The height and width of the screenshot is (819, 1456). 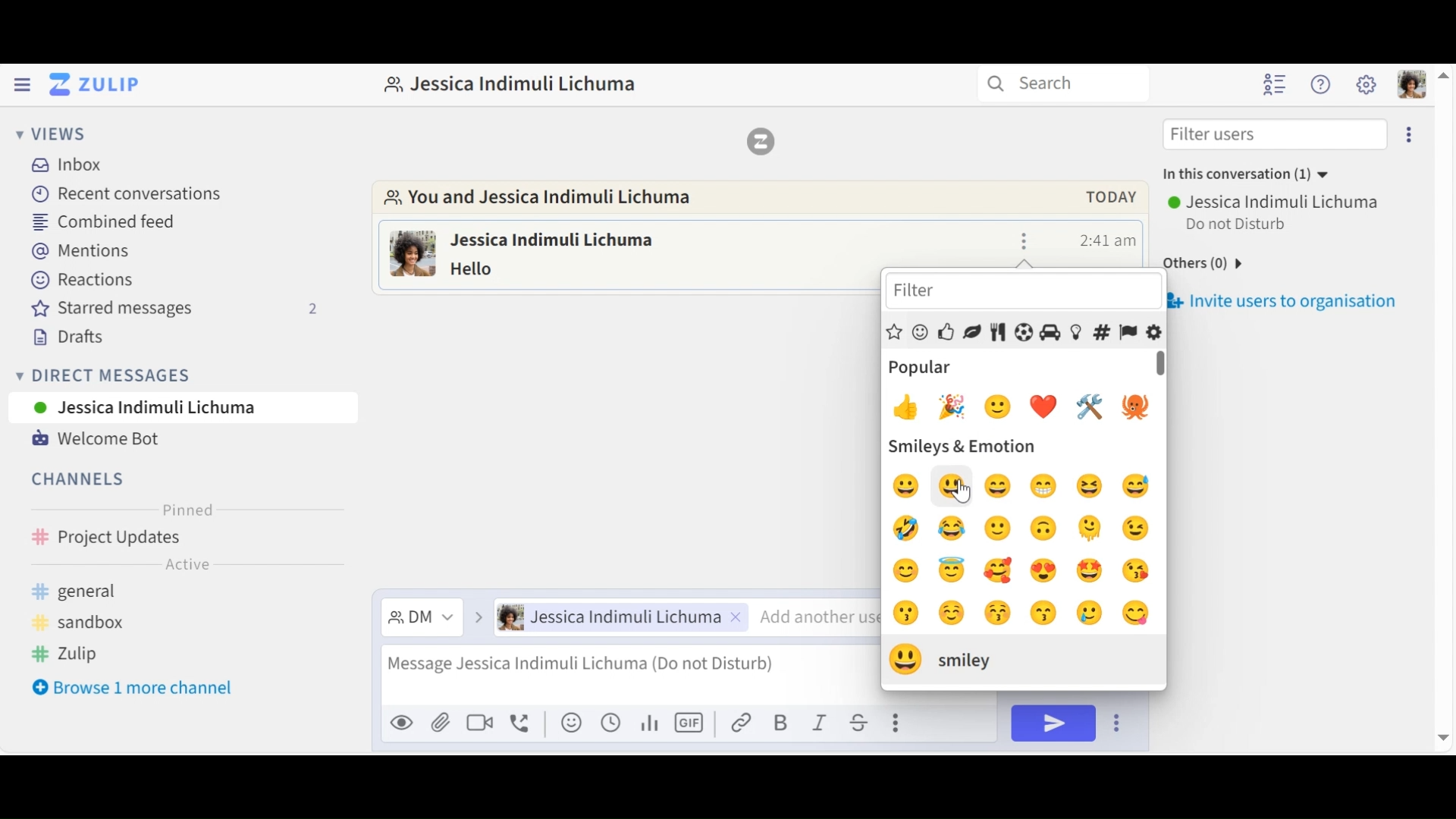 I want to click on Filter Emoji, so click(x=1020, y=293).